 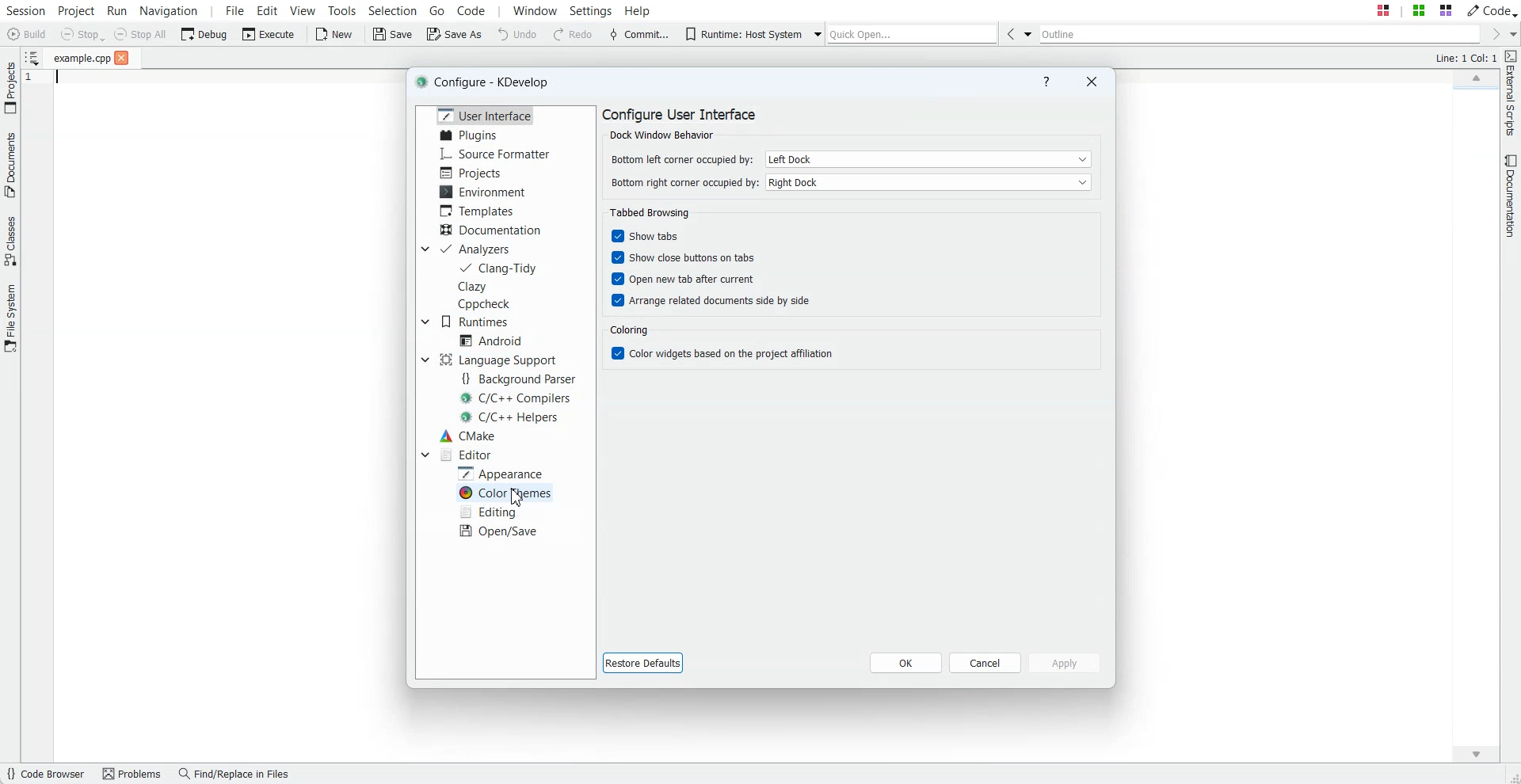 I want to click on Execute, so click(x=269, y=34).